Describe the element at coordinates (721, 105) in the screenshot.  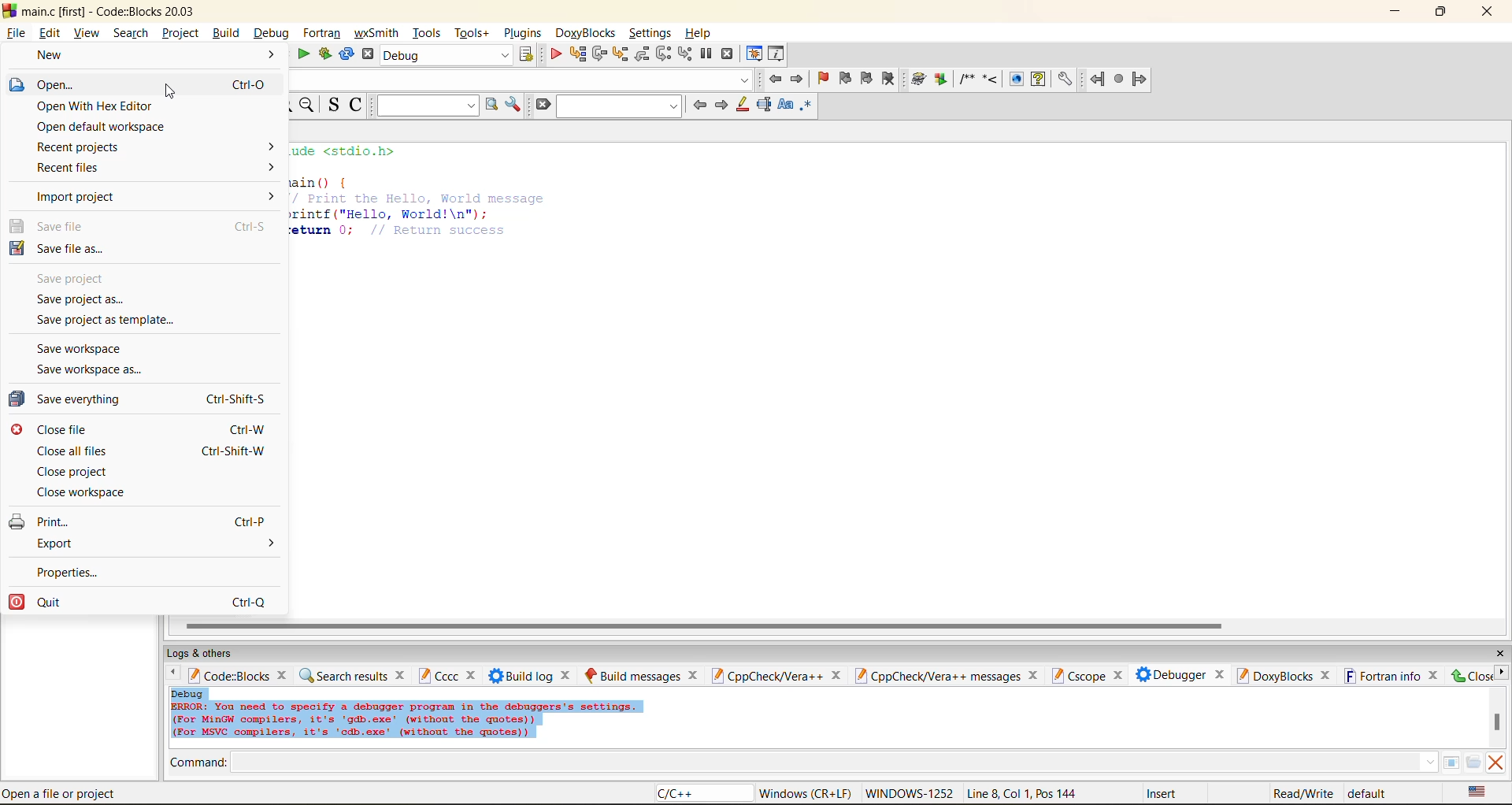
I see `next` at that location.